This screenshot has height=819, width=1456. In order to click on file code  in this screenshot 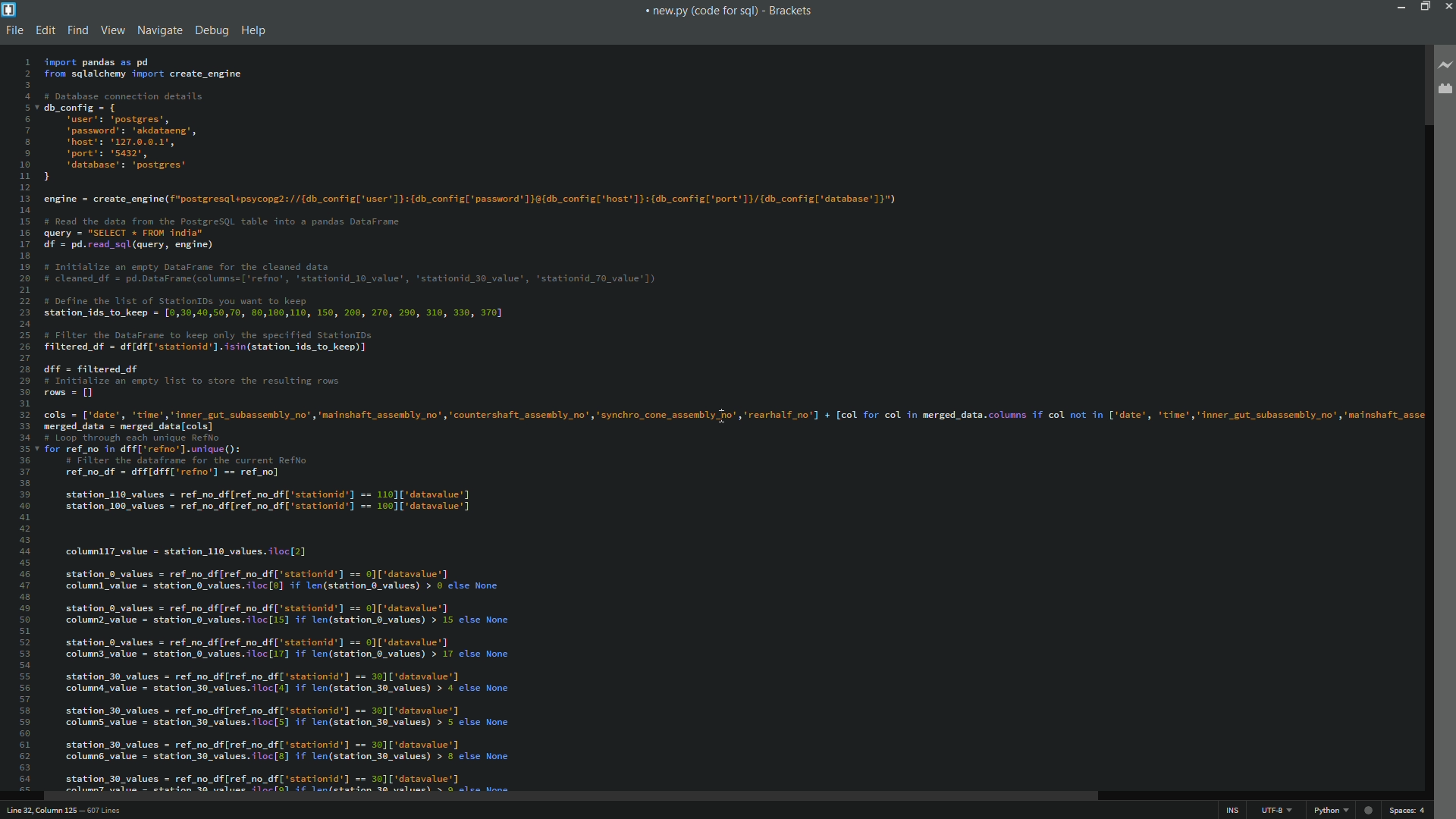, I will do `click(733, 420)`.